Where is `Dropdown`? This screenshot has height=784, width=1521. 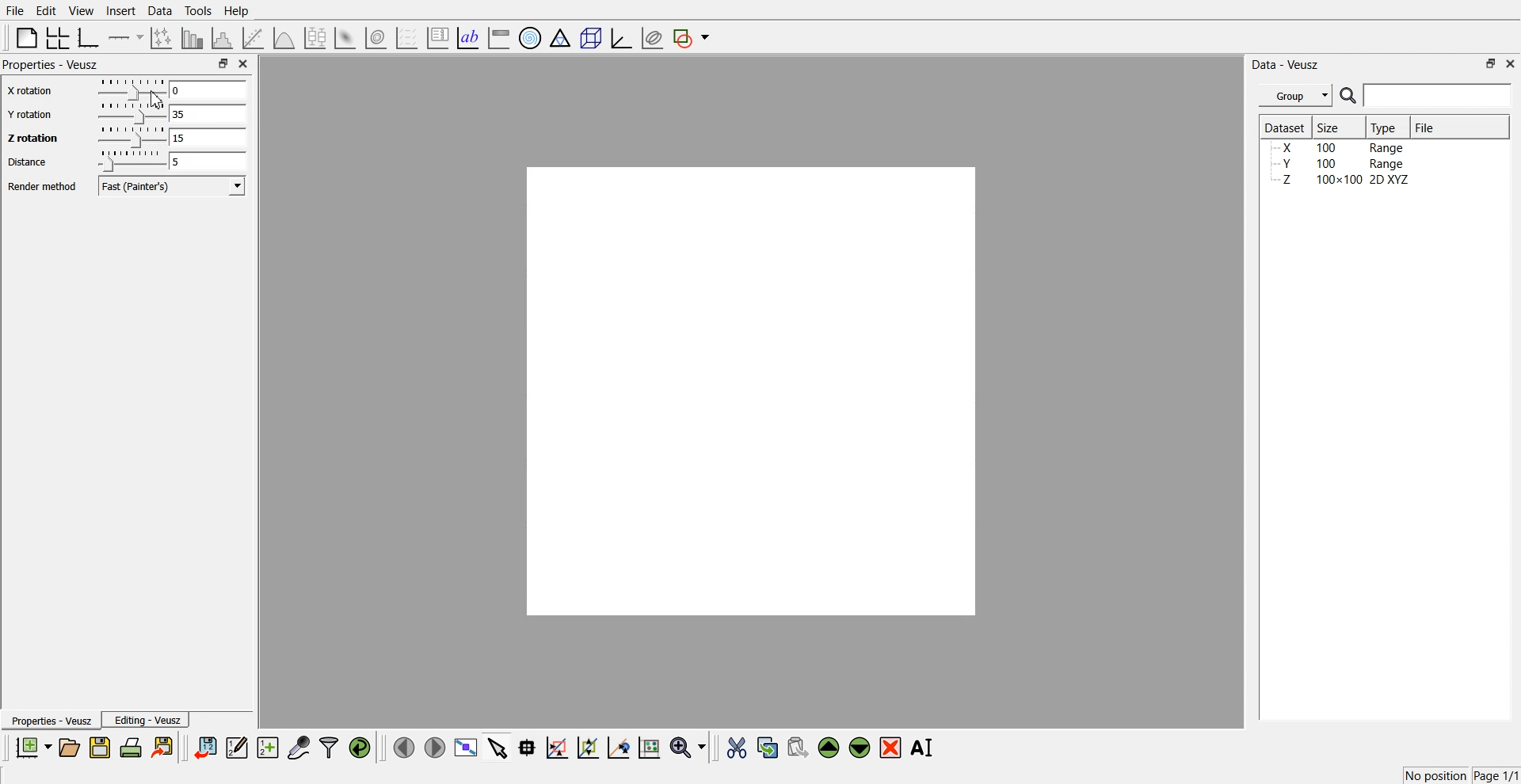 Dropdown is located at coordinates (238, 185).